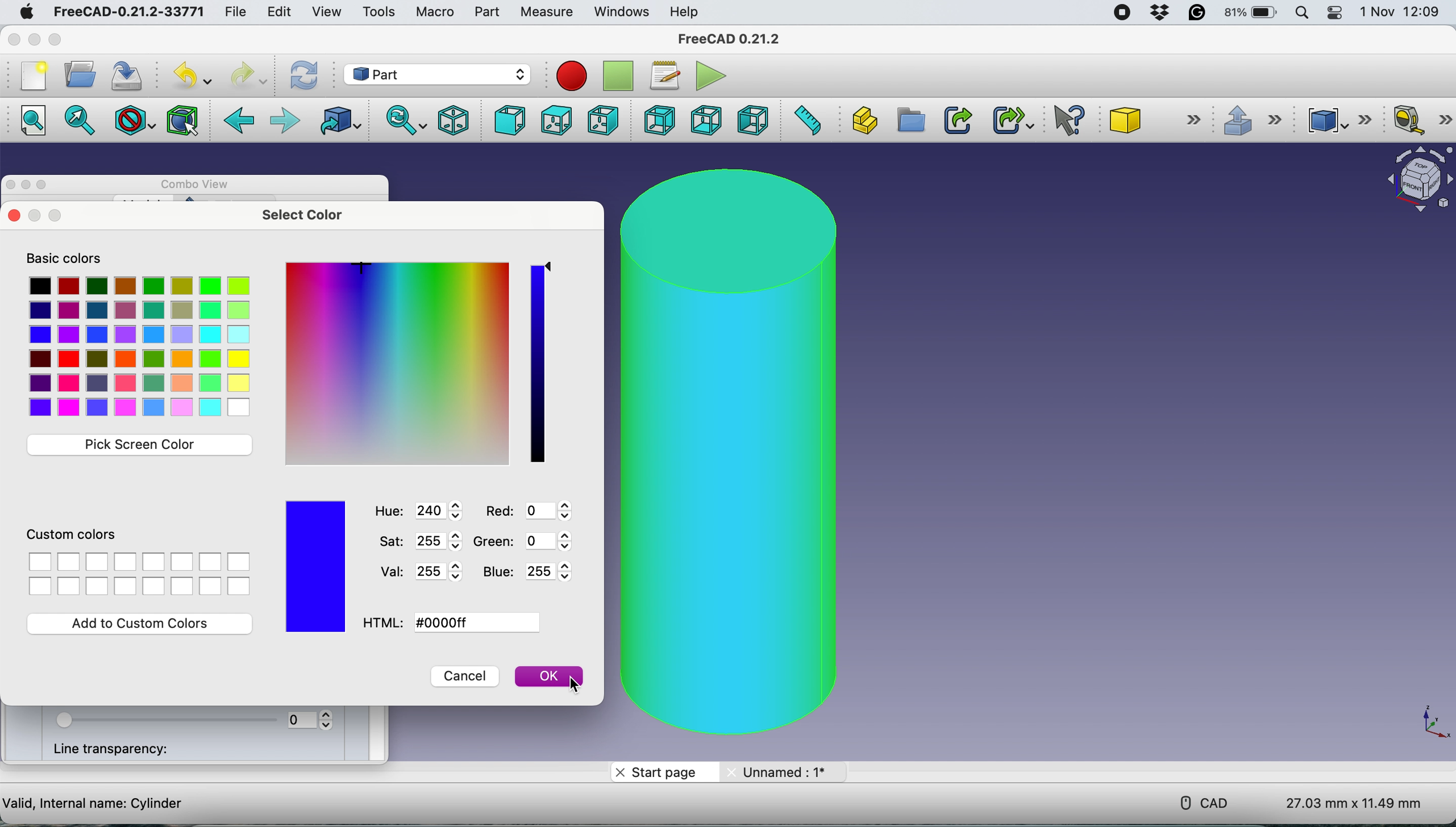  Describe the element at coordinates (28, 12) in the screenshot. I see `system logo` at that location.